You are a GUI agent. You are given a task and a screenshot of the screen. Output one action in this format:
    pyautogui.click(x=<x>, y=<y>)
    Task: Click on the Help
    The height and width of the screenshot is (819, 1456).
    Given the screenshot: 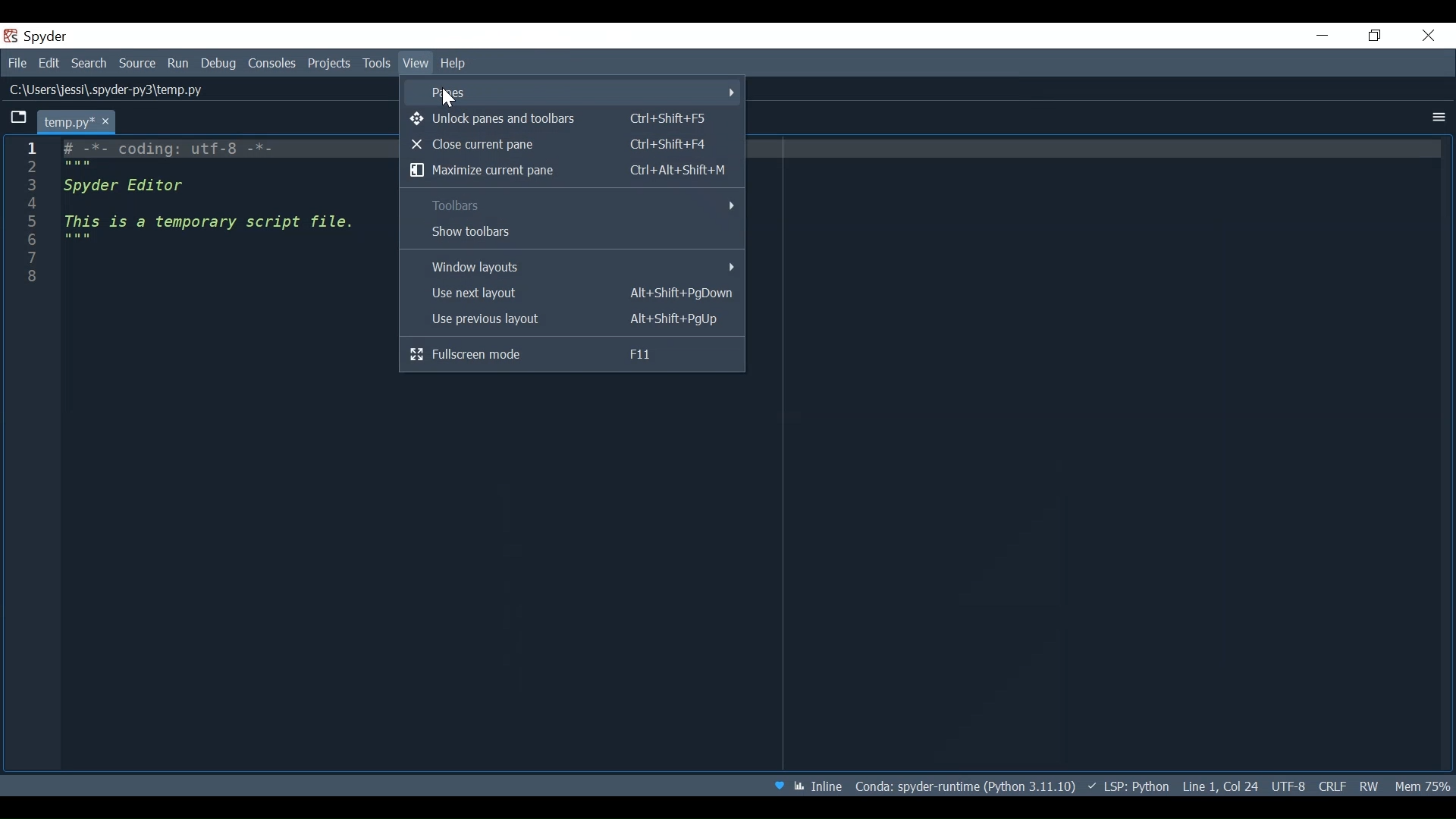 What is the action you would take?
    pyautogui.click(x=453, y=63)
    